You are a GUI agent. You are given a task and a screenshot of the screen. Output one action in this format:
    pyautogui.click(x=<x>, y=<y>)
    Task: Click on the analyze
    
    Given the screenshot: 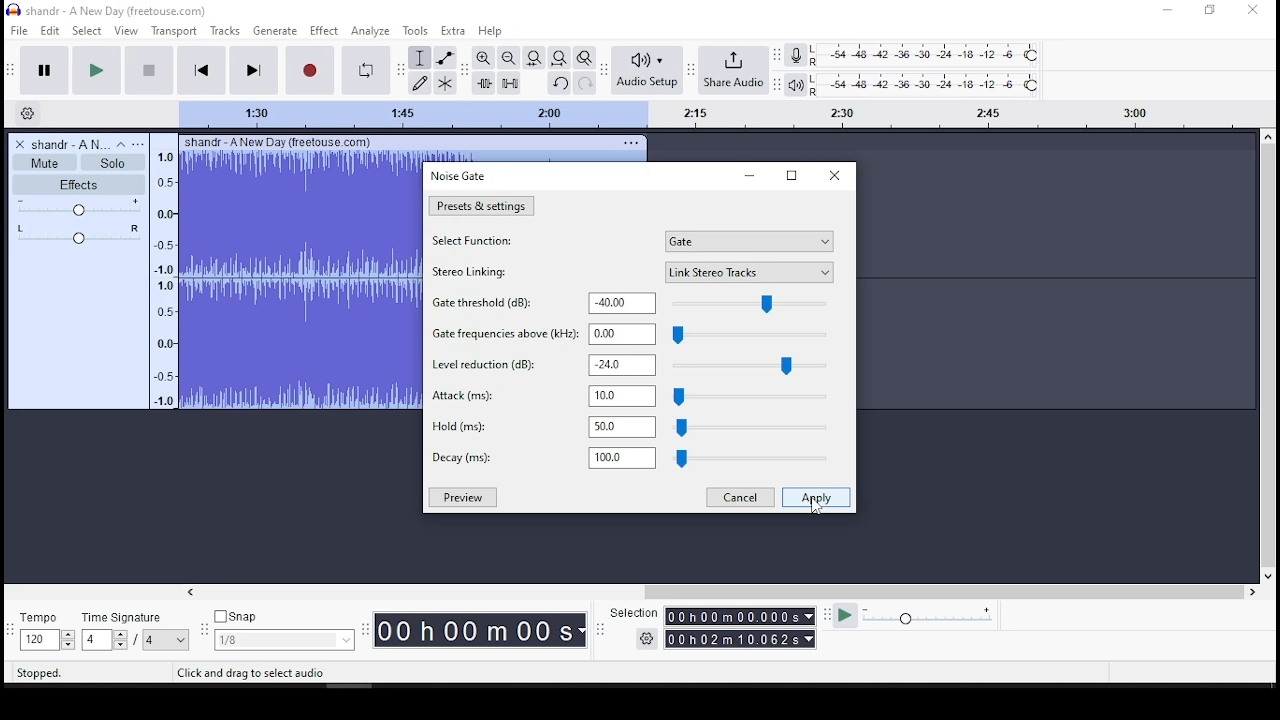 What is the action you would take?
    pyautogui.click(x=371, y=30)
    